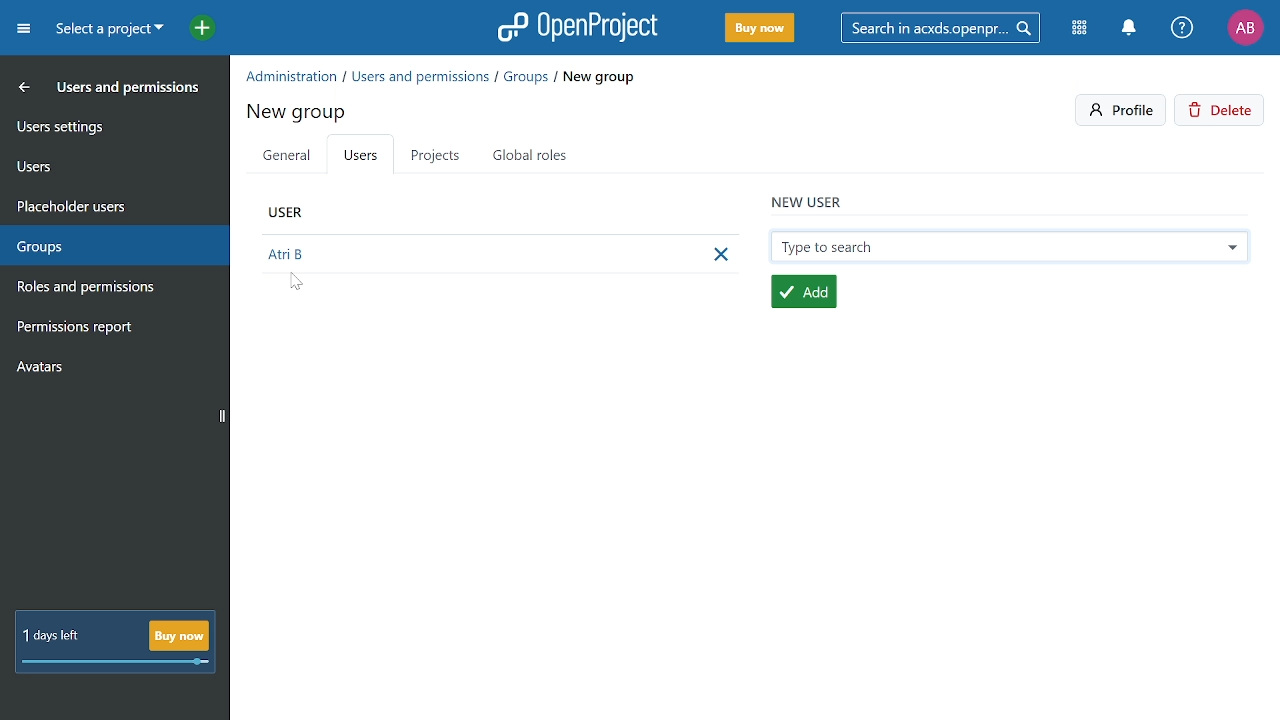  I want to click on User settings, so click(113, 125).